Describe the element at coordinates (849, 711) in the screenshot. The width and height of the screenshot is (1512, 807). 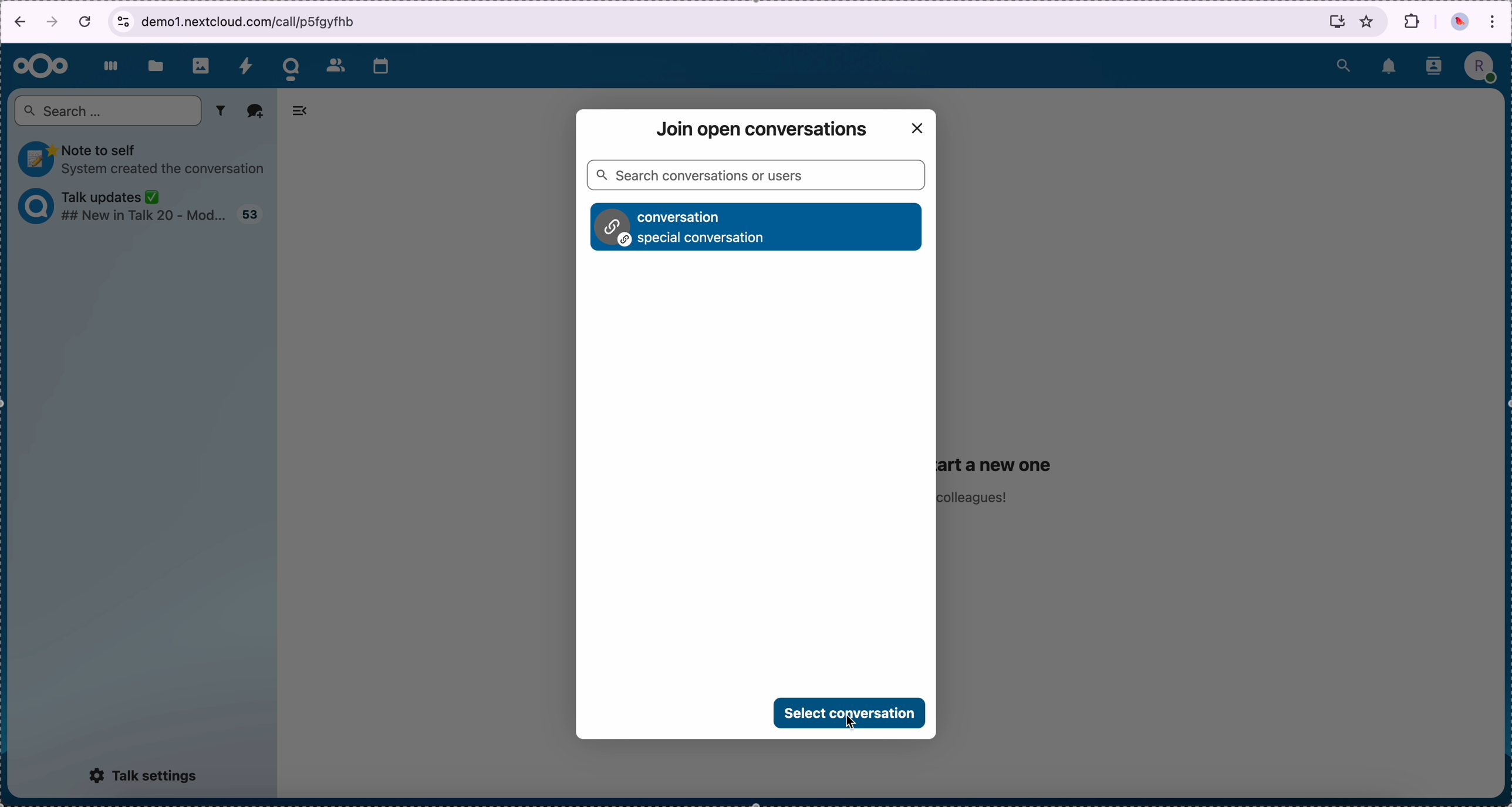
I see `click on select conversation button` at that location.